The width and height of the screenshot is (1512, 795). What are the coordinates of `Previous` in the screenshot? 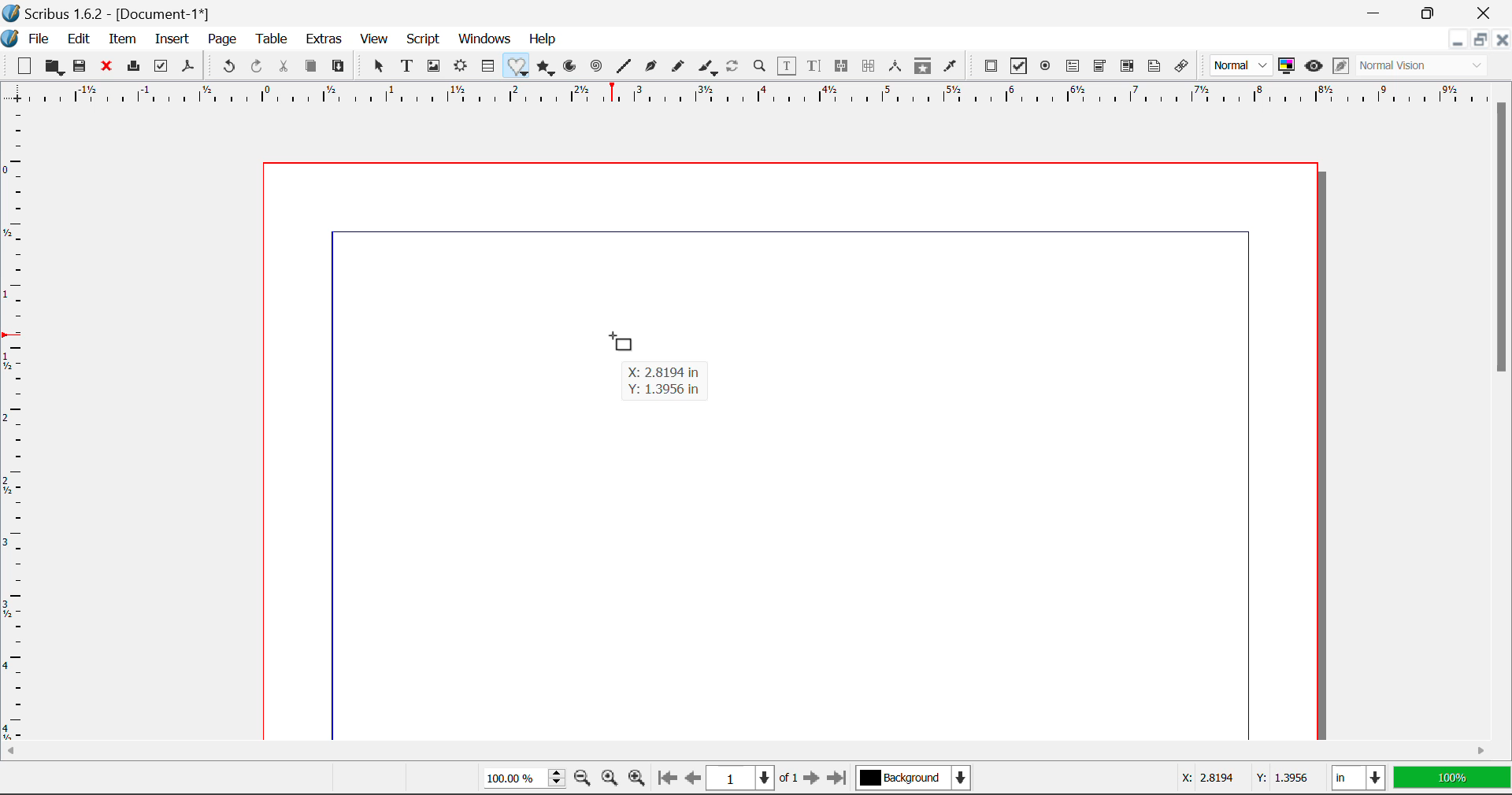 It's located at (694, 779).